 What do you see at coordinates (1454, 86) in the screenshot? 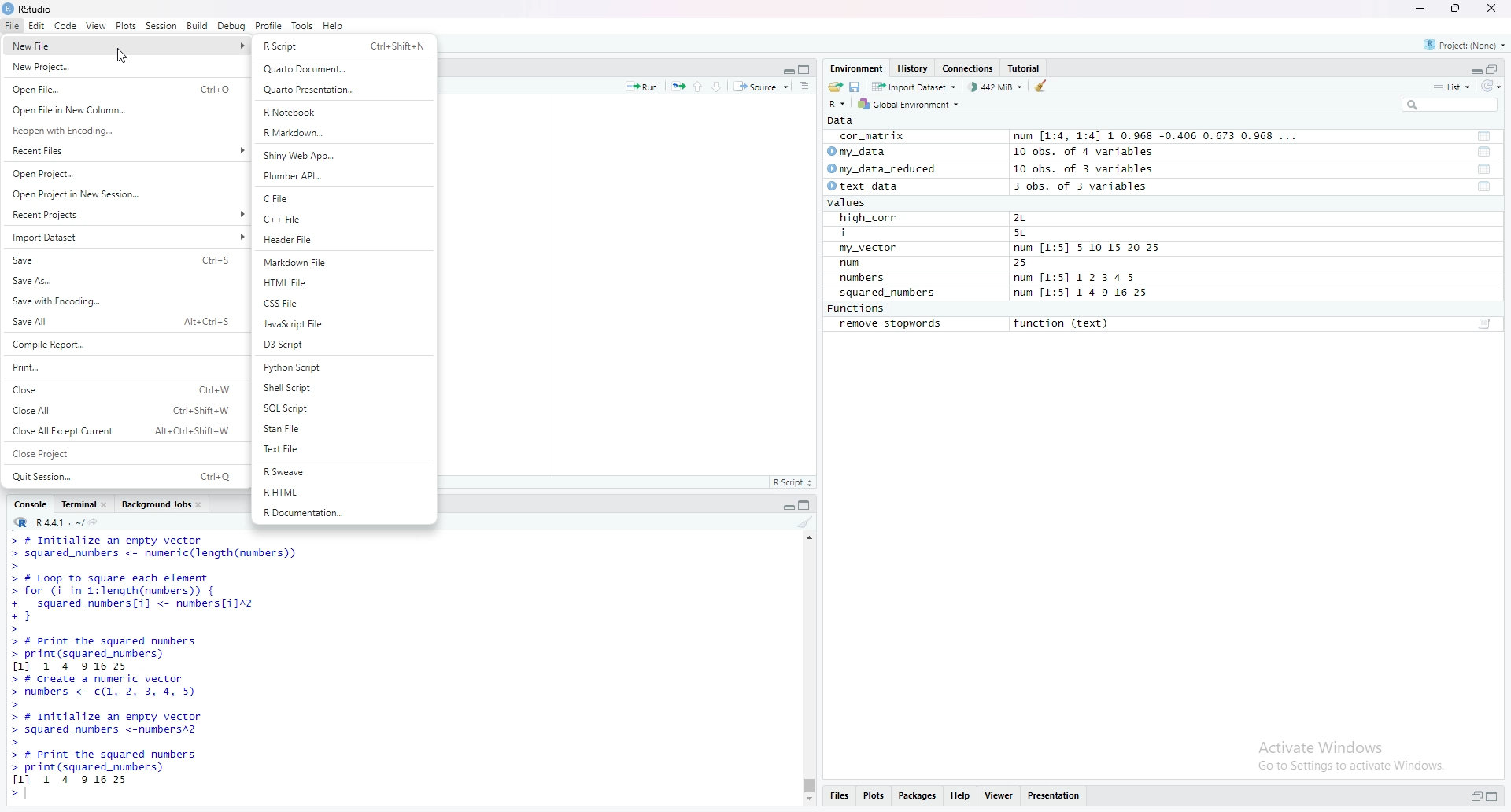
I see `List` at bounding box center [1454, 86].